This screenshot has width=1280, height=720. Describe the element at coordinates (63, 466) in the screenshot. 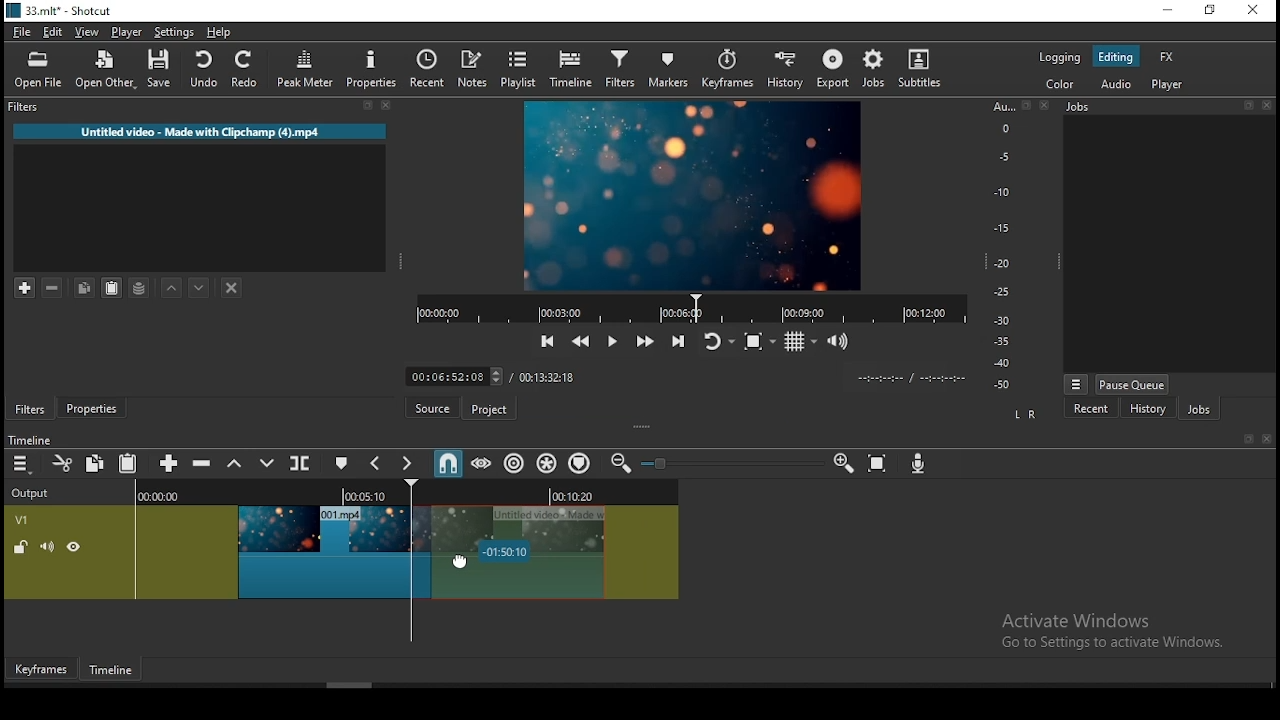

I see `cut` at that location.